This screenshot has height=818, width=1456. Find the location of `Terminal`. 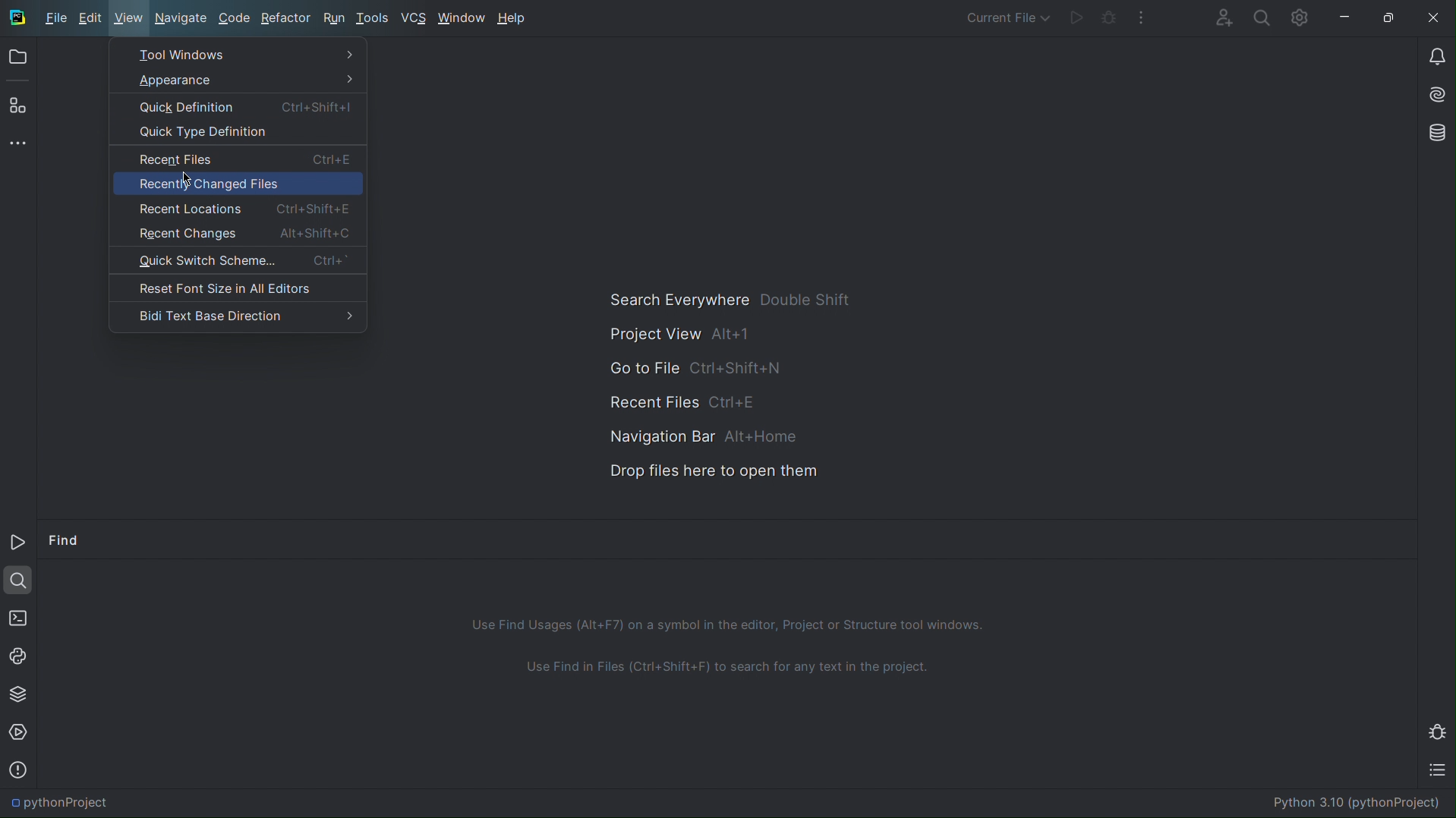

Terminal is located at coordinates (17, 615).